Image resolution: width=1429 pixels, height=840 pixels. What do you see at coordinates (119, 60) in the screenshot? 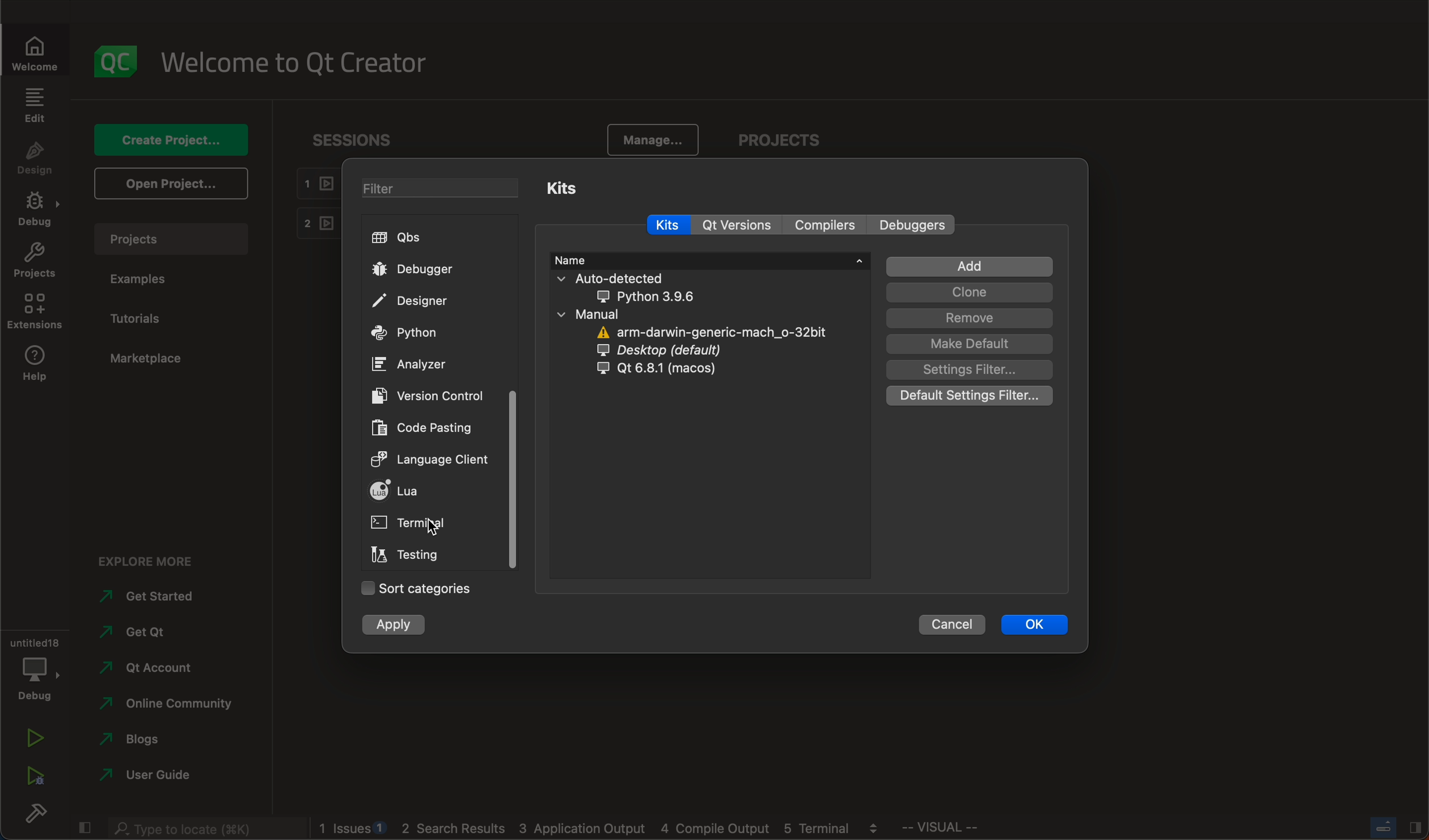
I see `logo` at bounding box center [119, 60].